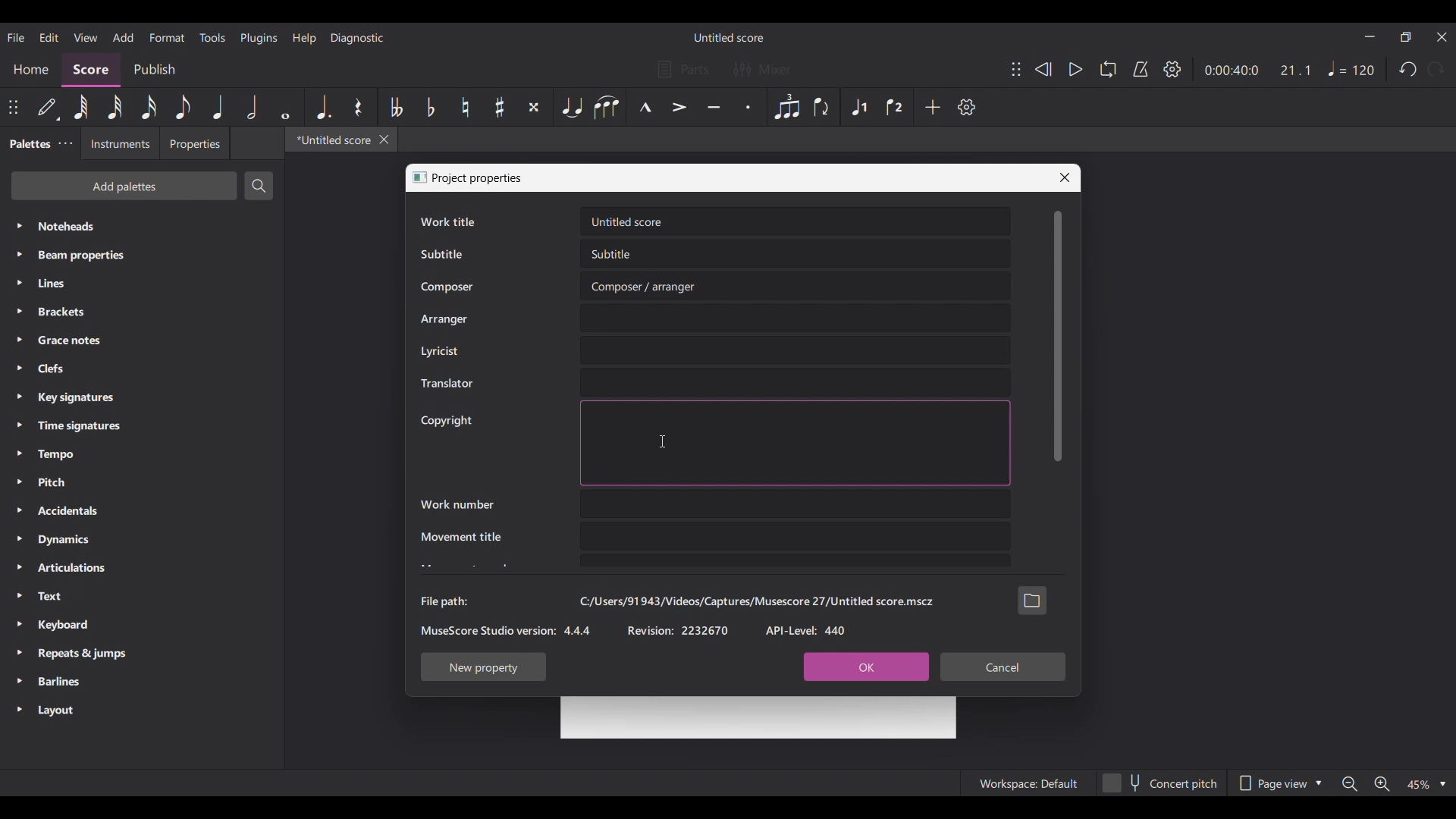 The image size is (1456, 819). Describe the element at coordinates (824, 107) in the screenshot. I see `Flip direction` at that location.